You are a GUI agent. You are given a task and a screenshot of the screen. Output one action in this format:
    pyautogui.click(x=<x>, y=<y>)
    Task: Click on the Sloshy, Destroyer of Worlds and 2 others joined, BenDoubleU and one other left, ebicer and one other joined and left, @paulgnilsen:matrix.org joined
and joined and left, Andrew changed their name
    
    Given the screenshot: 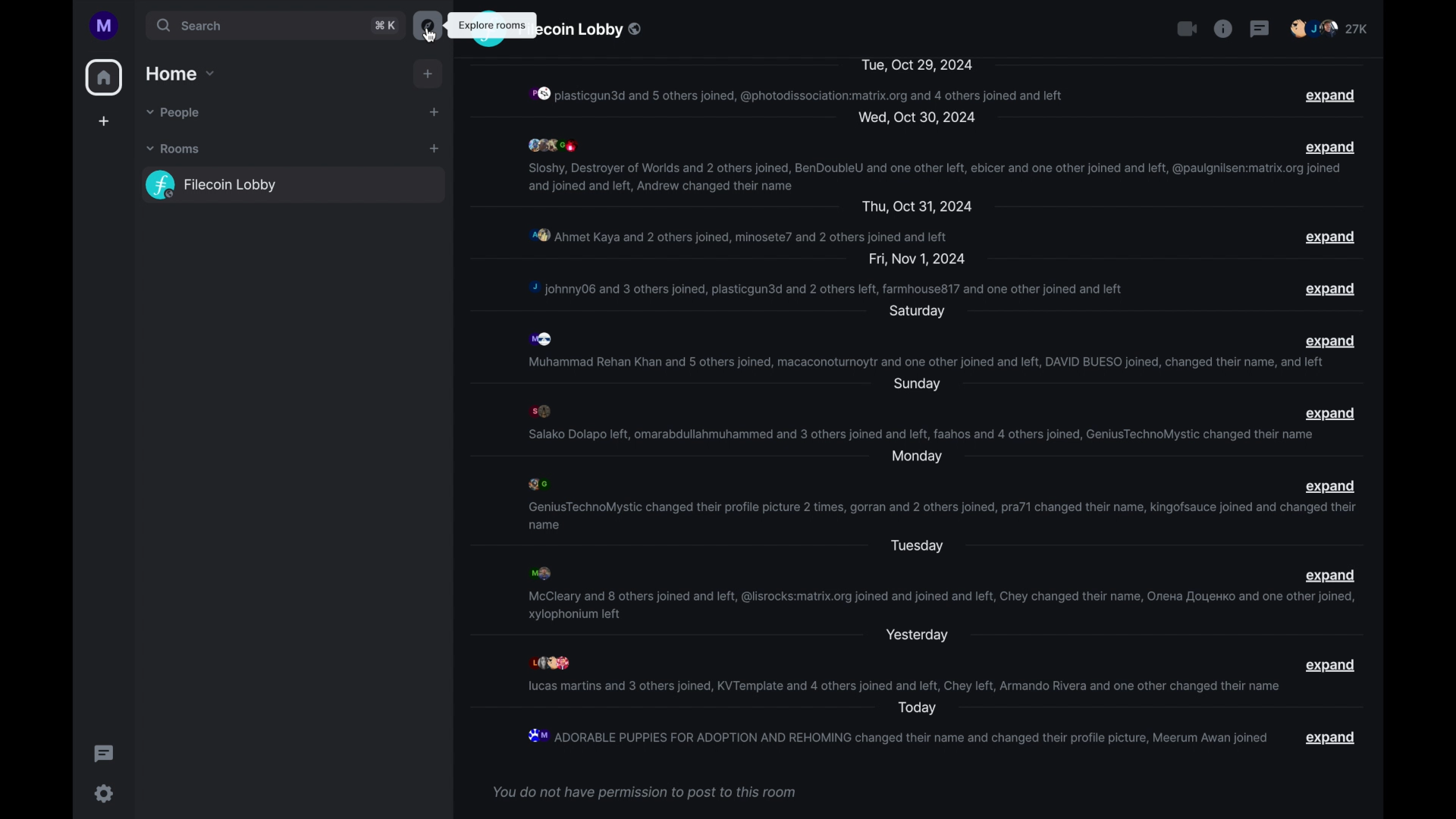 What is the action you would take?
    pyautogui.click(x=934, y=177)
    